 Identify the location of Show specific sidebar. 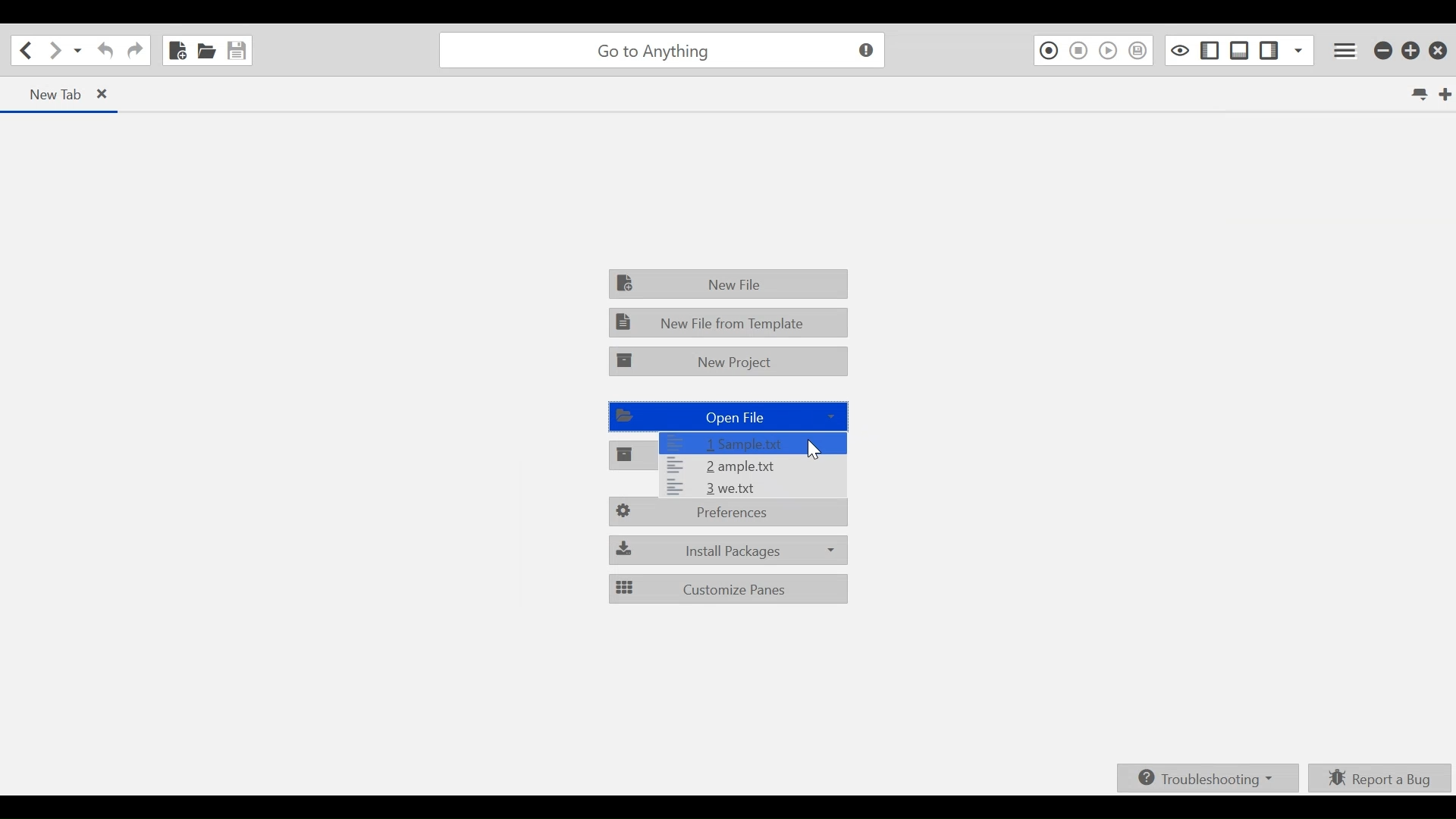
(1298, 49).